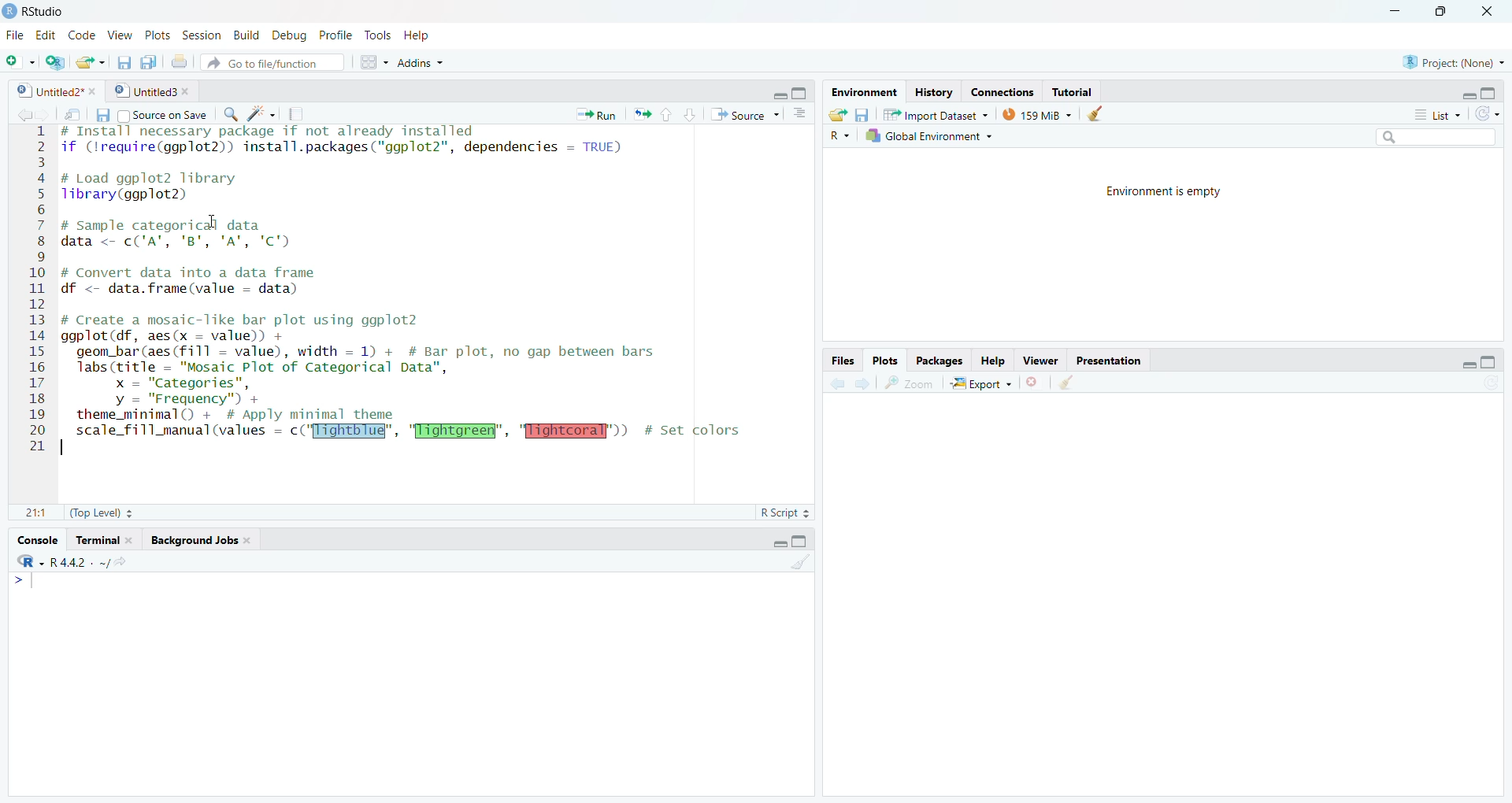 This screenshot has height=803, width=1512. What do you see at coordinates (47, 35) in the screenshot?
I see `Edit` at bounding box center [47, 35].